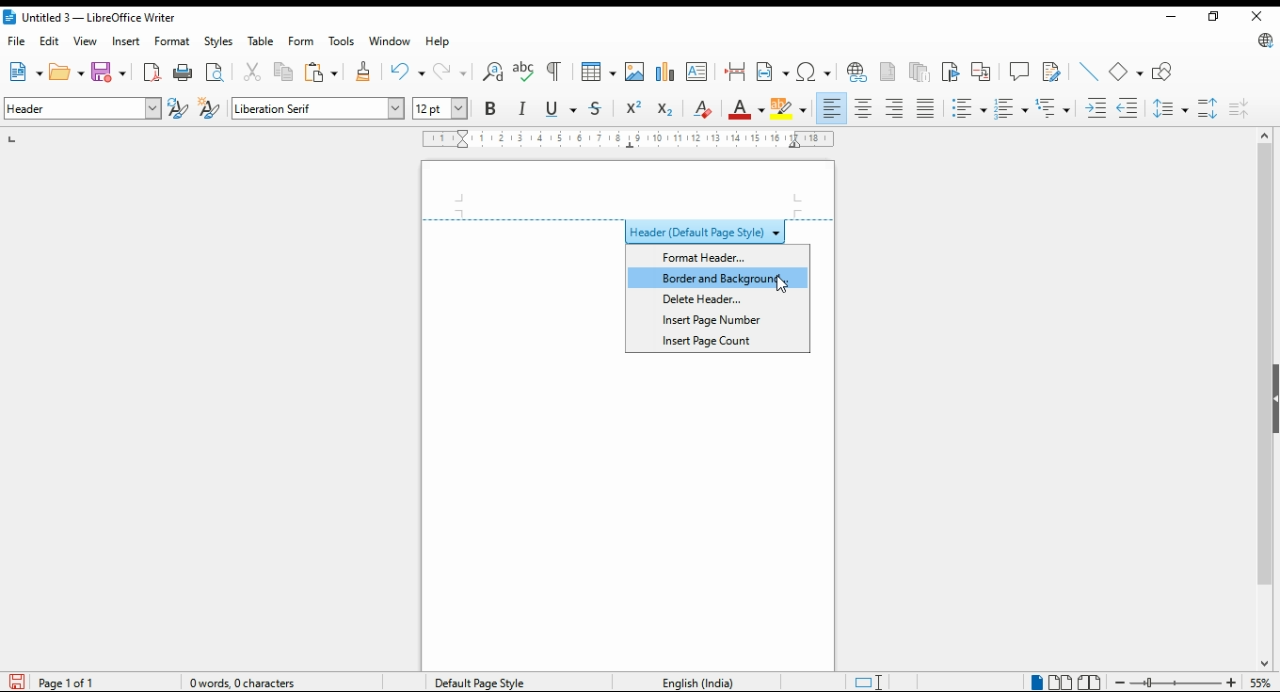 The image size is (1280, 692). I want to click on border and background, so click(717, 277).